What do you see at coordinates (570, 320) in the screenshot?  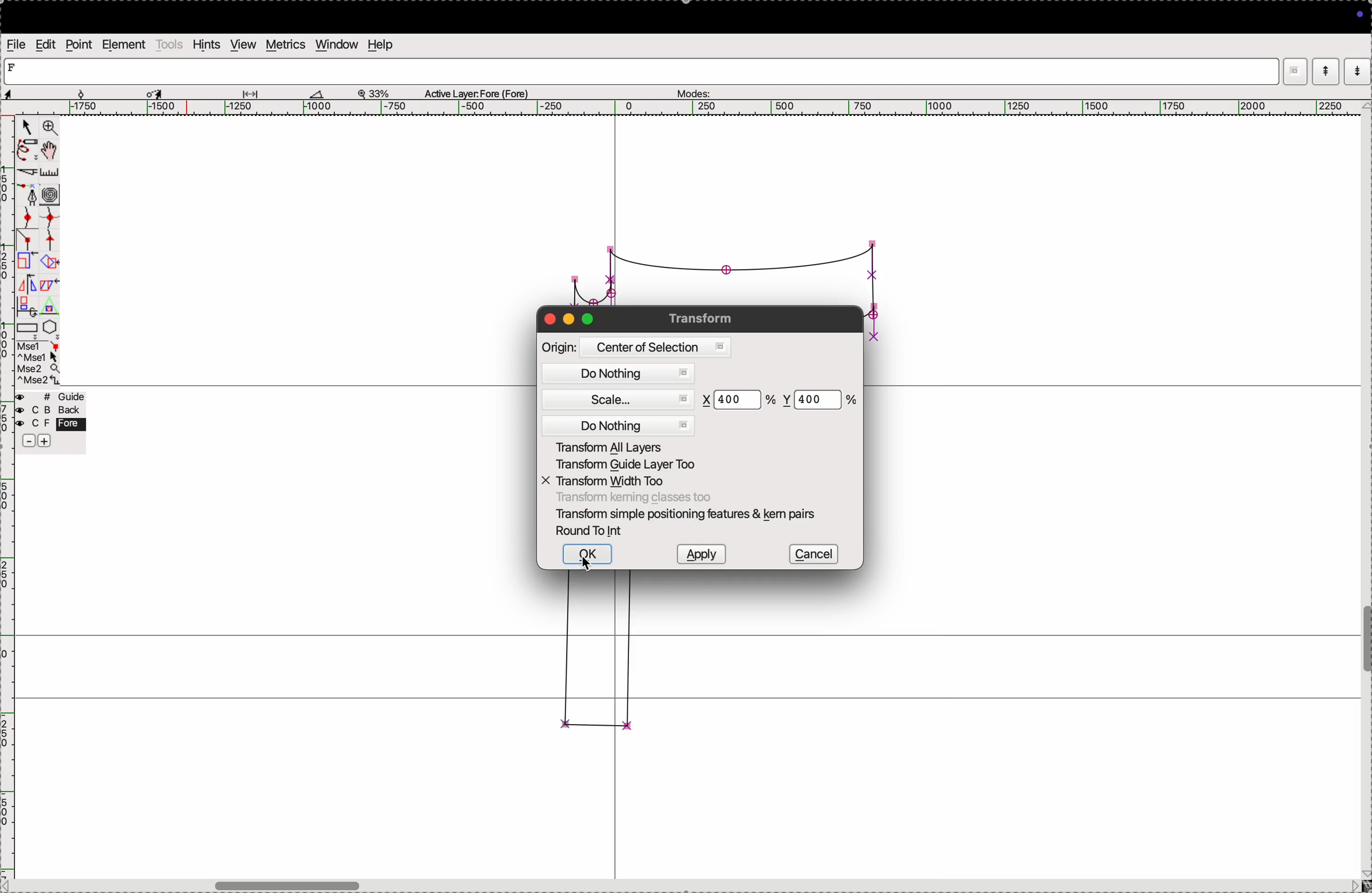 I see `minimize` at bounding box center [570, 320].